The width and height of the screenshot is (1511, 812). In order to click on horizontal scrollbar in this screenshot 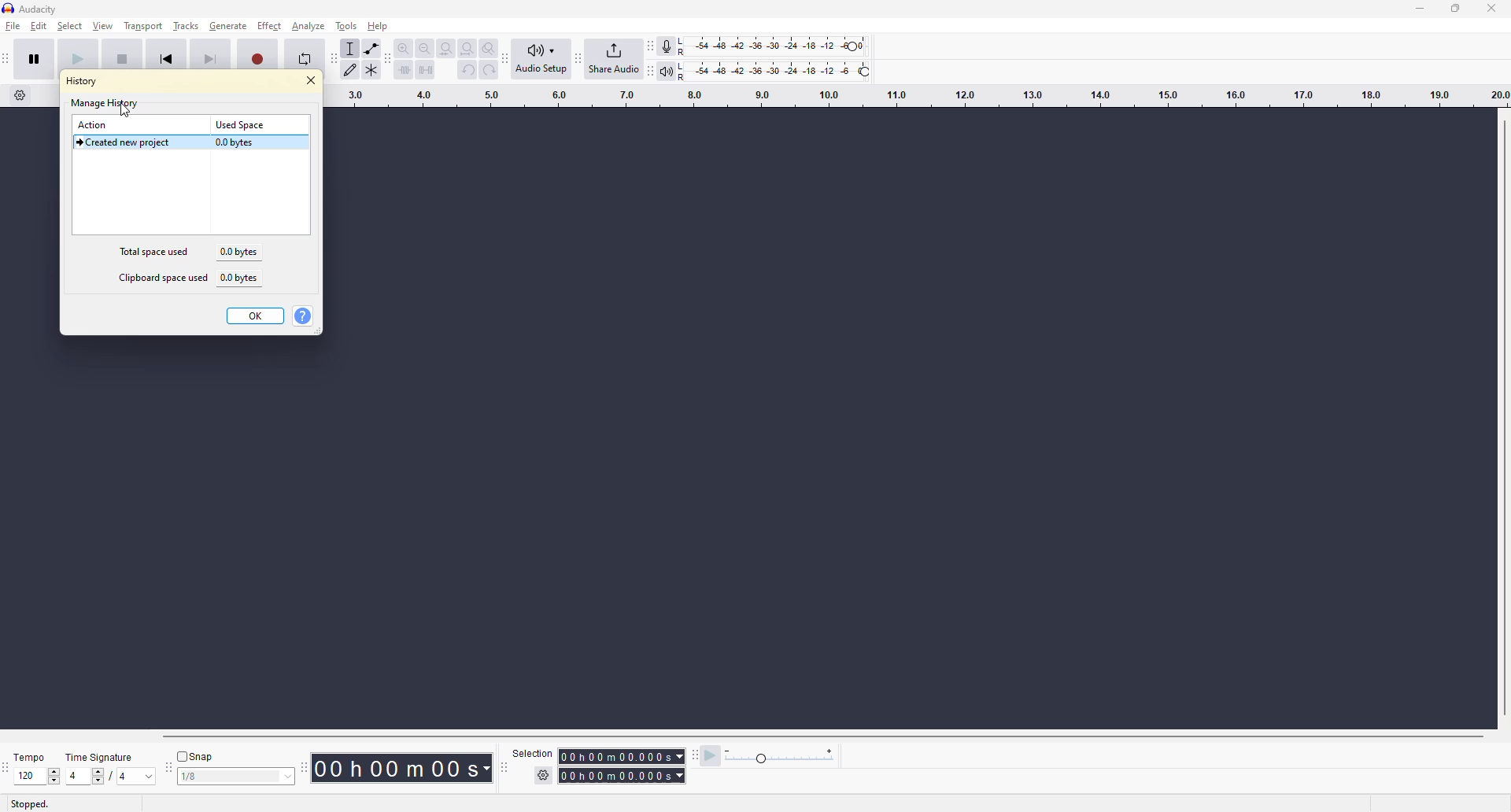, I will do `click(829, 736)`.